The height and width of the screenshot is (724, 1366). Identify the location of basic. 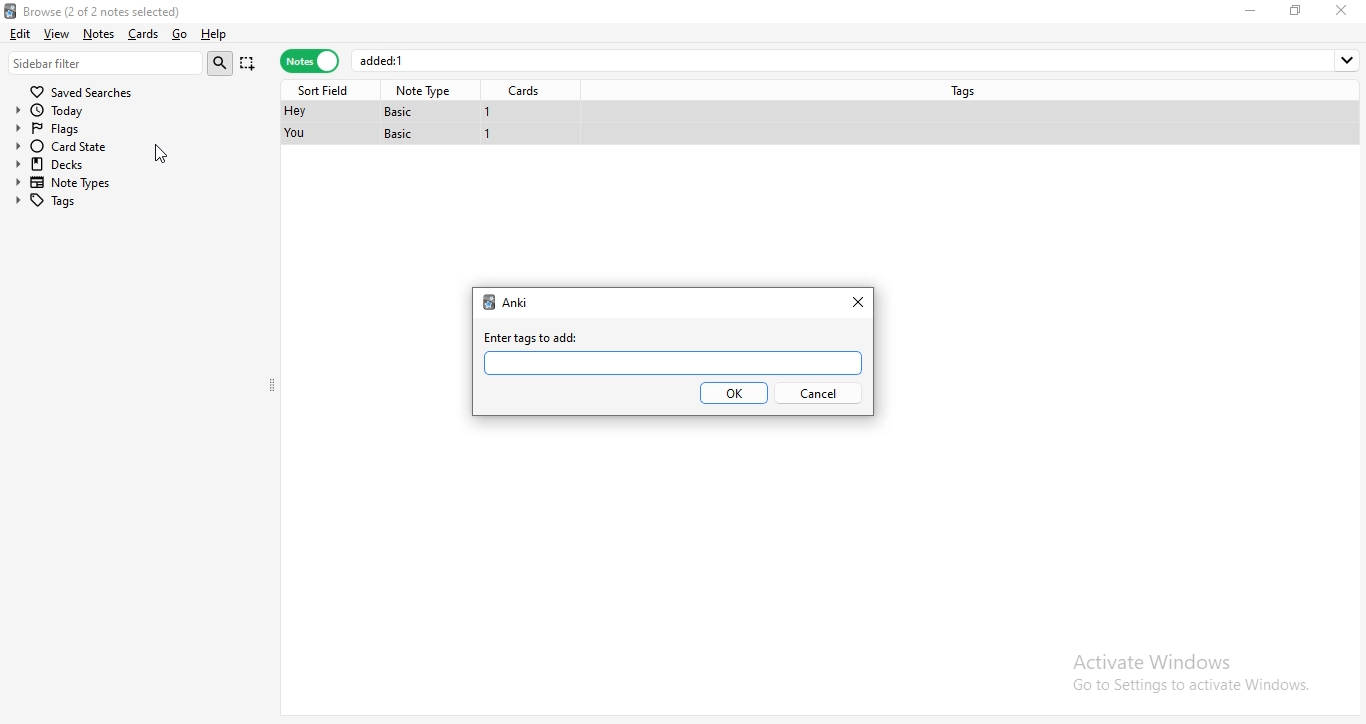
(405, 111).